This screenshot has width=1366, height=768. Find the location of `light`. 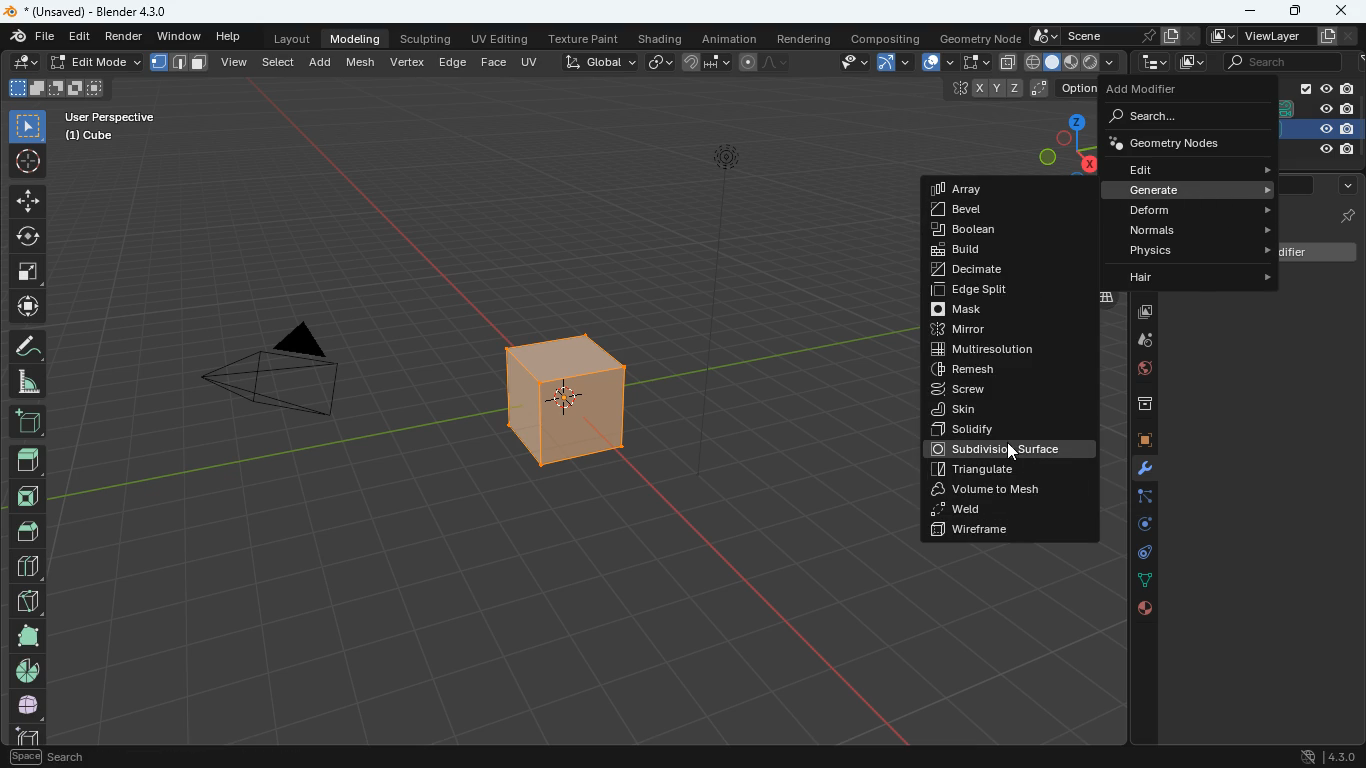

light is located at coordinates (1326, 151).